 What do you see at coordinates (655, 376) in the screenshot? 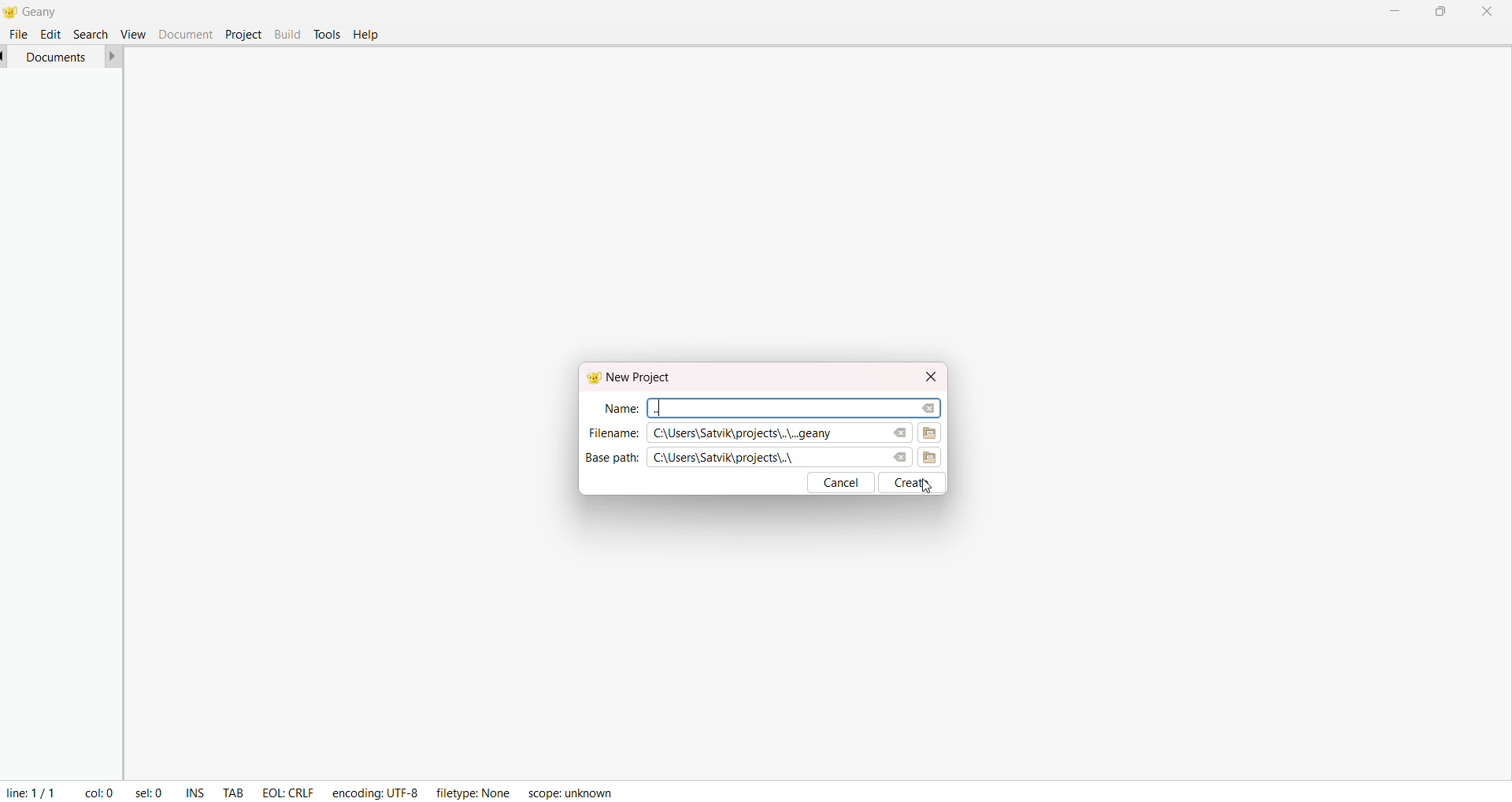
I see `new project` at bounding box center [655, 376].